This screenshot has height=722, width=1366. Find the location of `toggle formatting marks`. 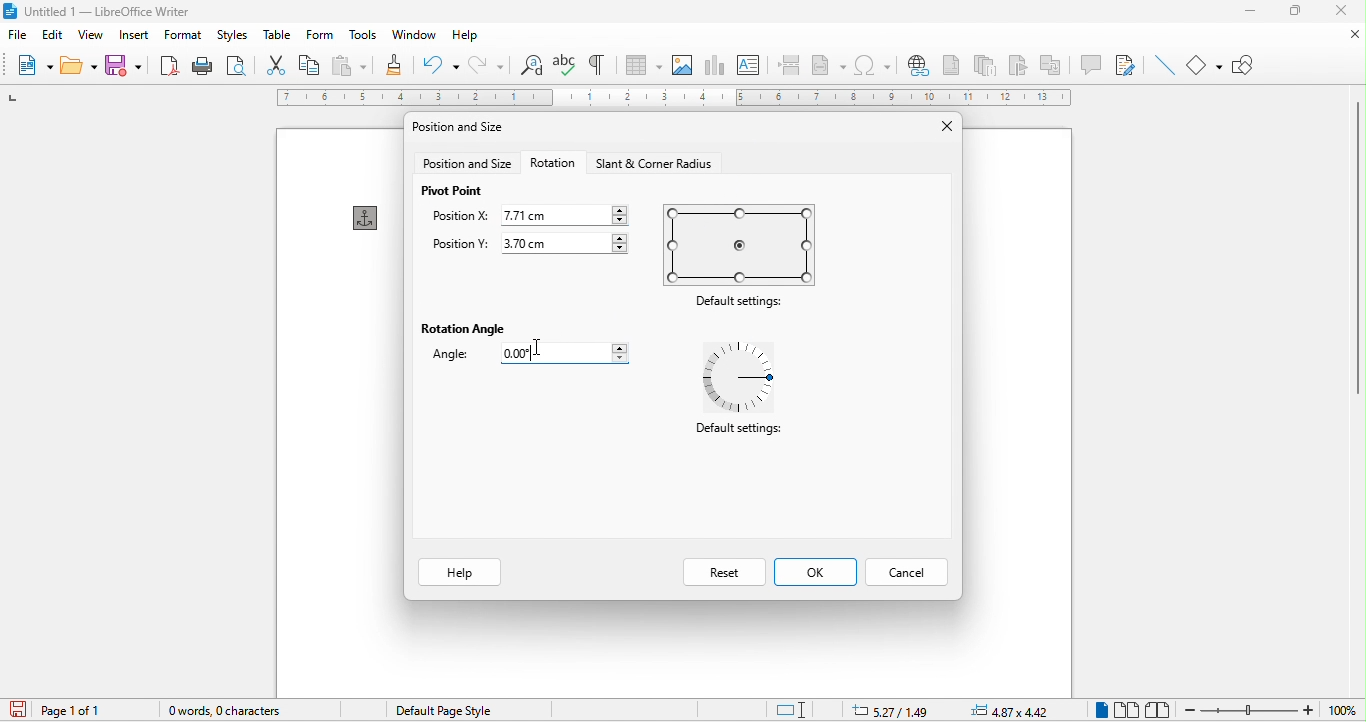

toggle formatting marks is located at coordinates (600, 63).